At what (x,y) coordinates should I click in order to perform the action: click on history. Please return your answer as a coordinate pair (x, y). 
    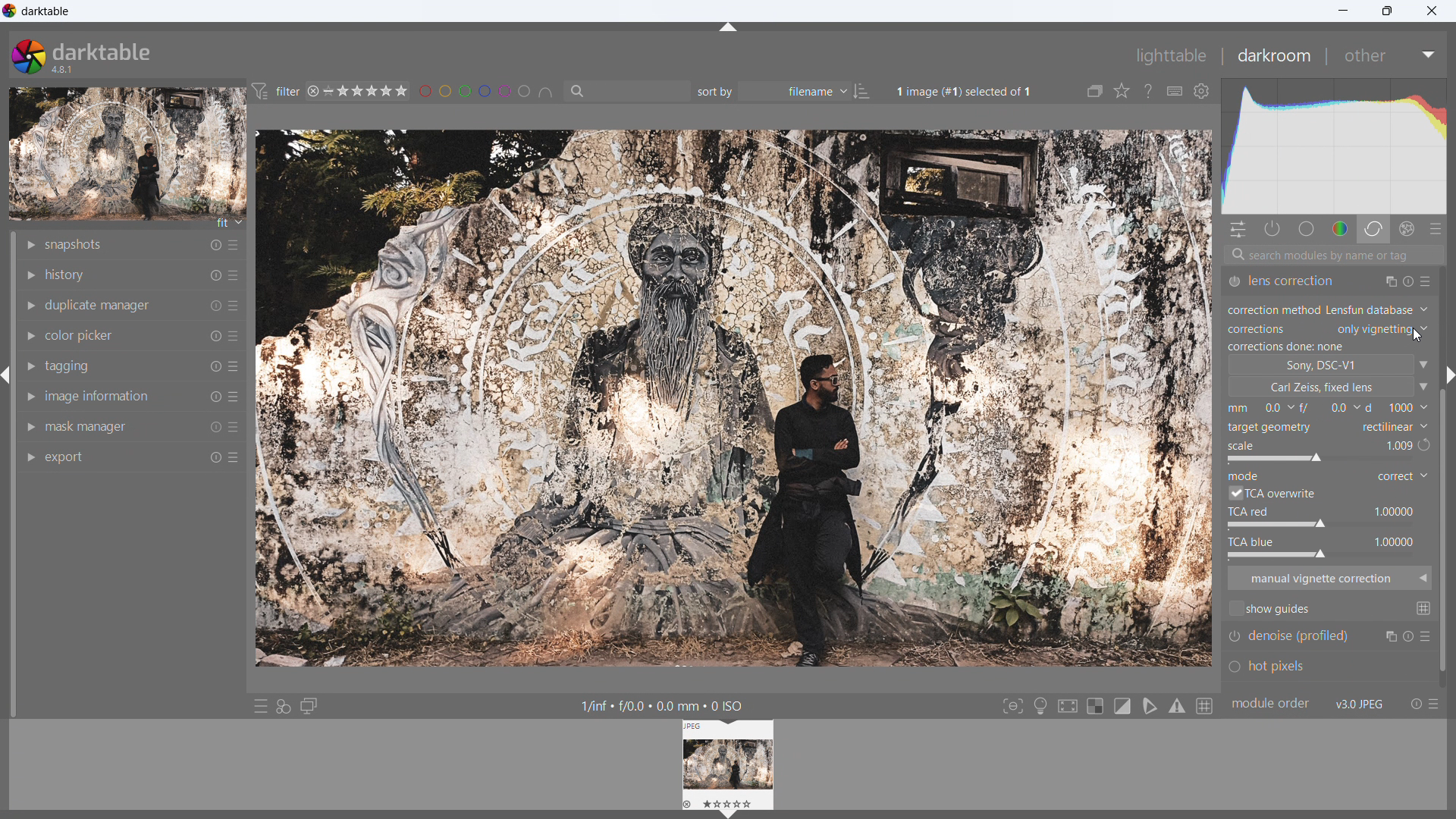
    Looking at the image, I should click on (66, 275).